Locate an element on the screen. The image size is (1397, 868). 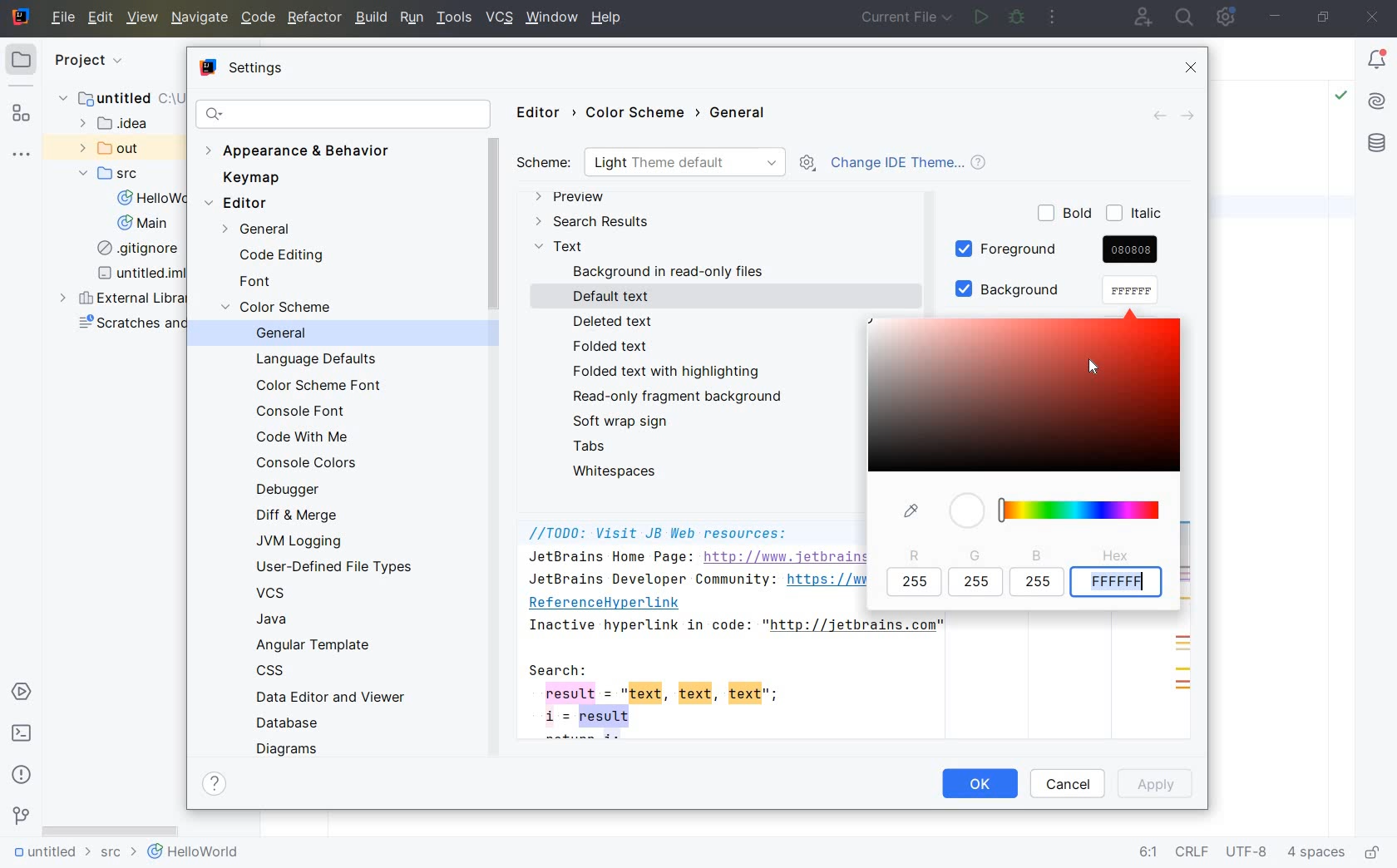
USER-DEFINED FILE TYPES is located at coordinates (334, 567).